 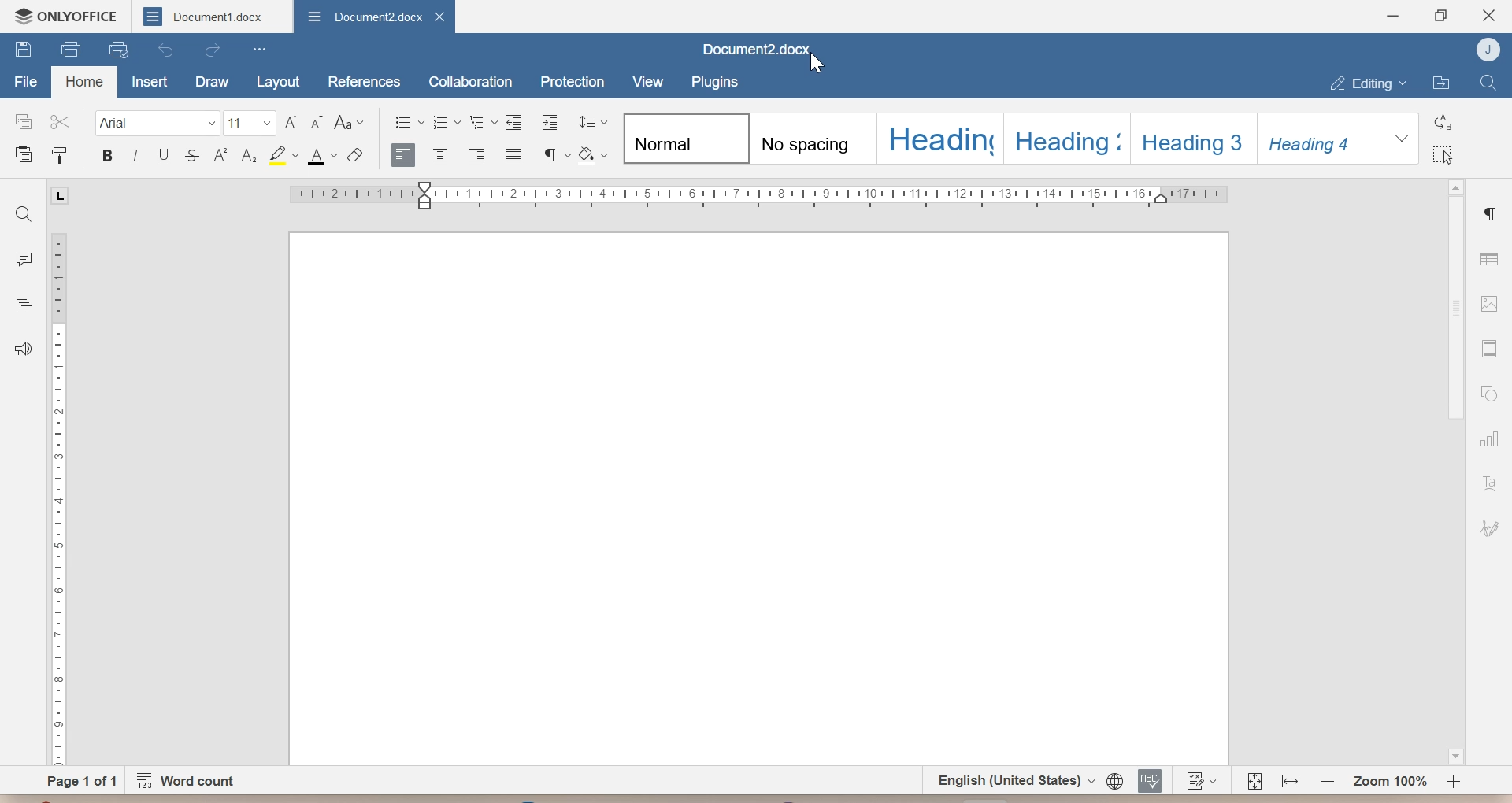 I want to click on Editing, so click(x=1368, y=83).